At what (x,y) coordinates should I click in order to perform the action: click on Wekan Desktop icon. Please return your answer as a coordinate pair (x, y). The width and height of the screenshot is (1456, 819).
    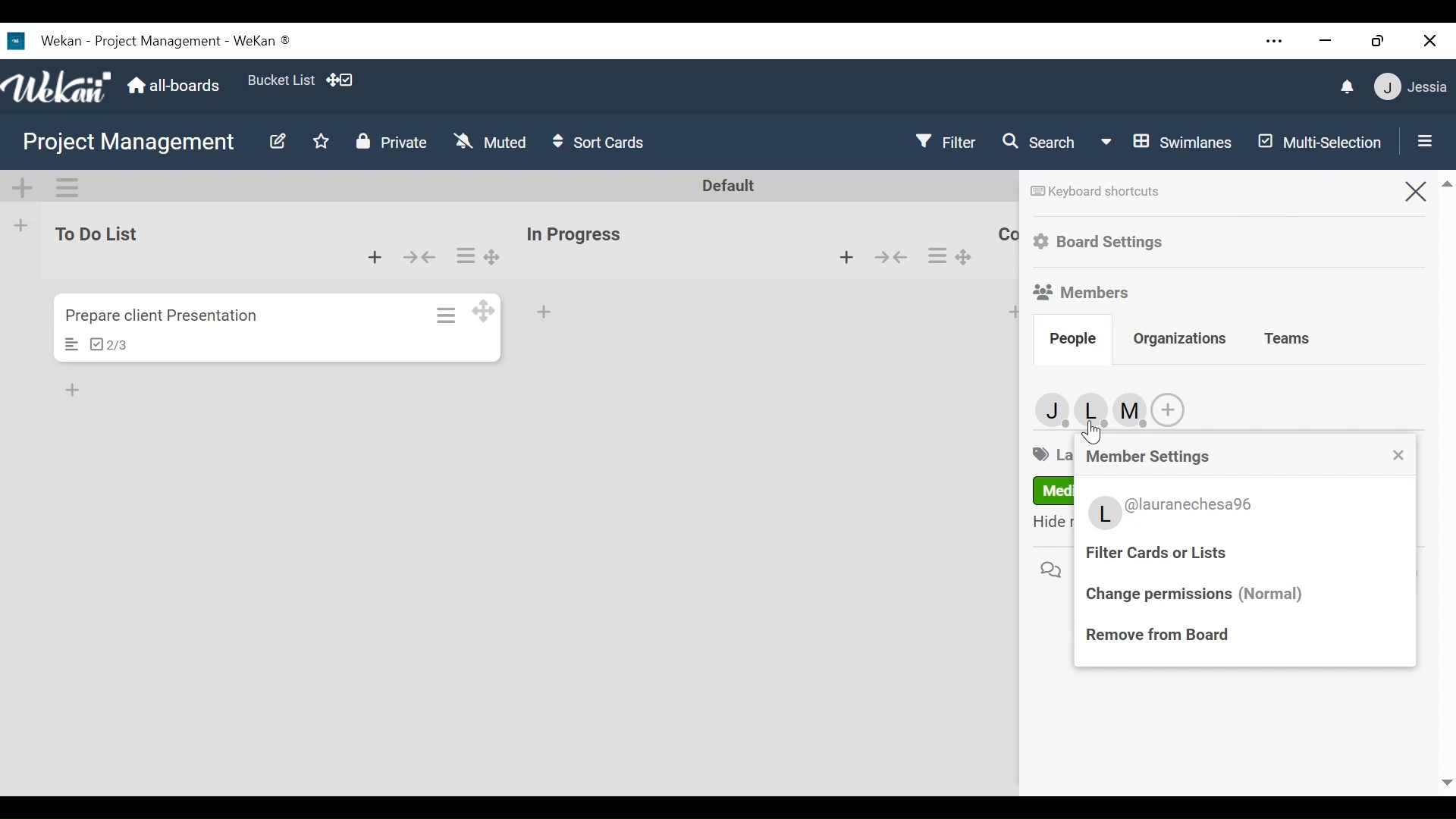
    Looking at the image, I should click on (147, 40).